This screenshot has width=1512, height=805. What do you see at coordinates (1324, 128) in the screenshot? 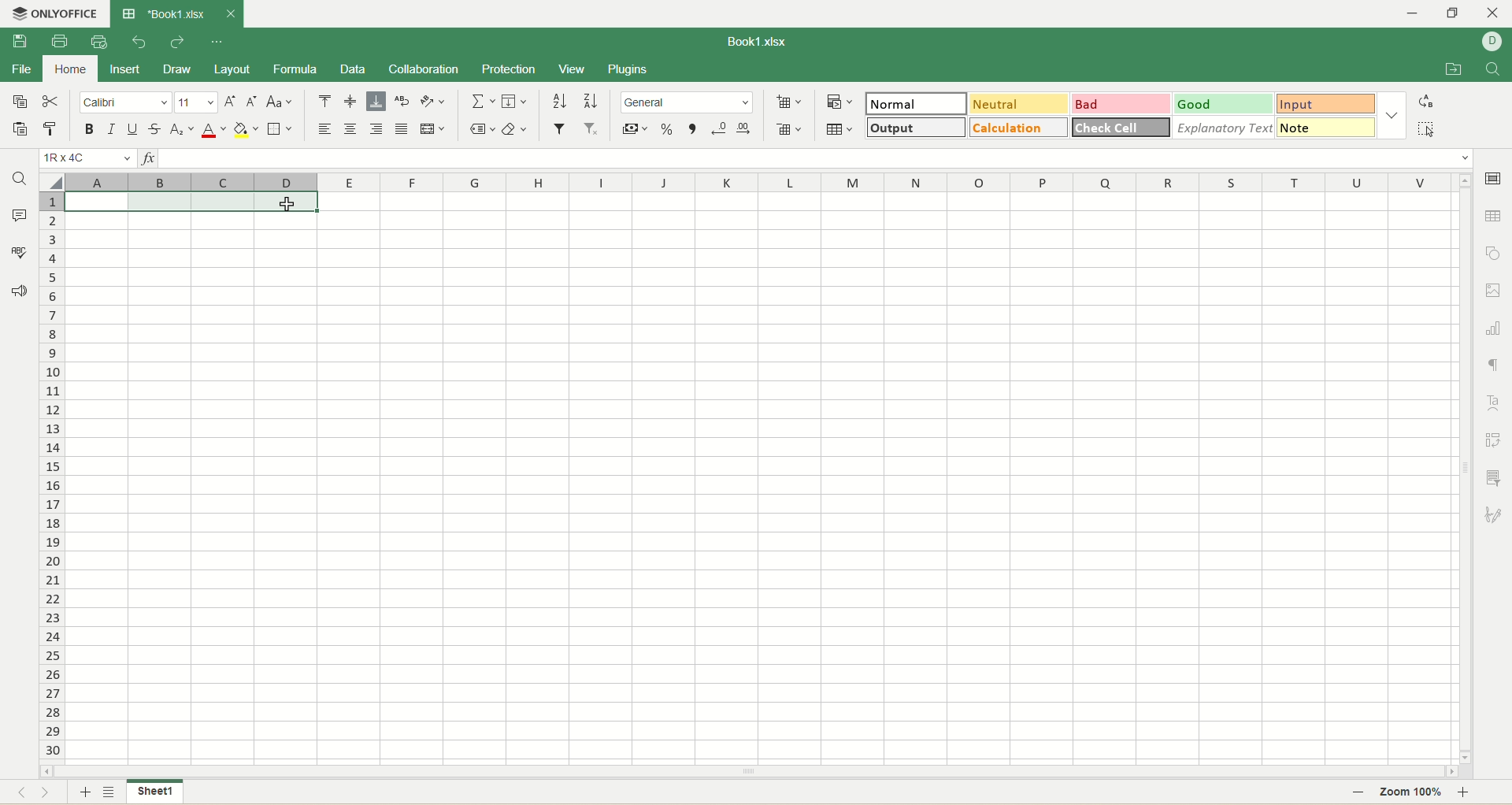
I see `note` at bounding box center [1324, 128].